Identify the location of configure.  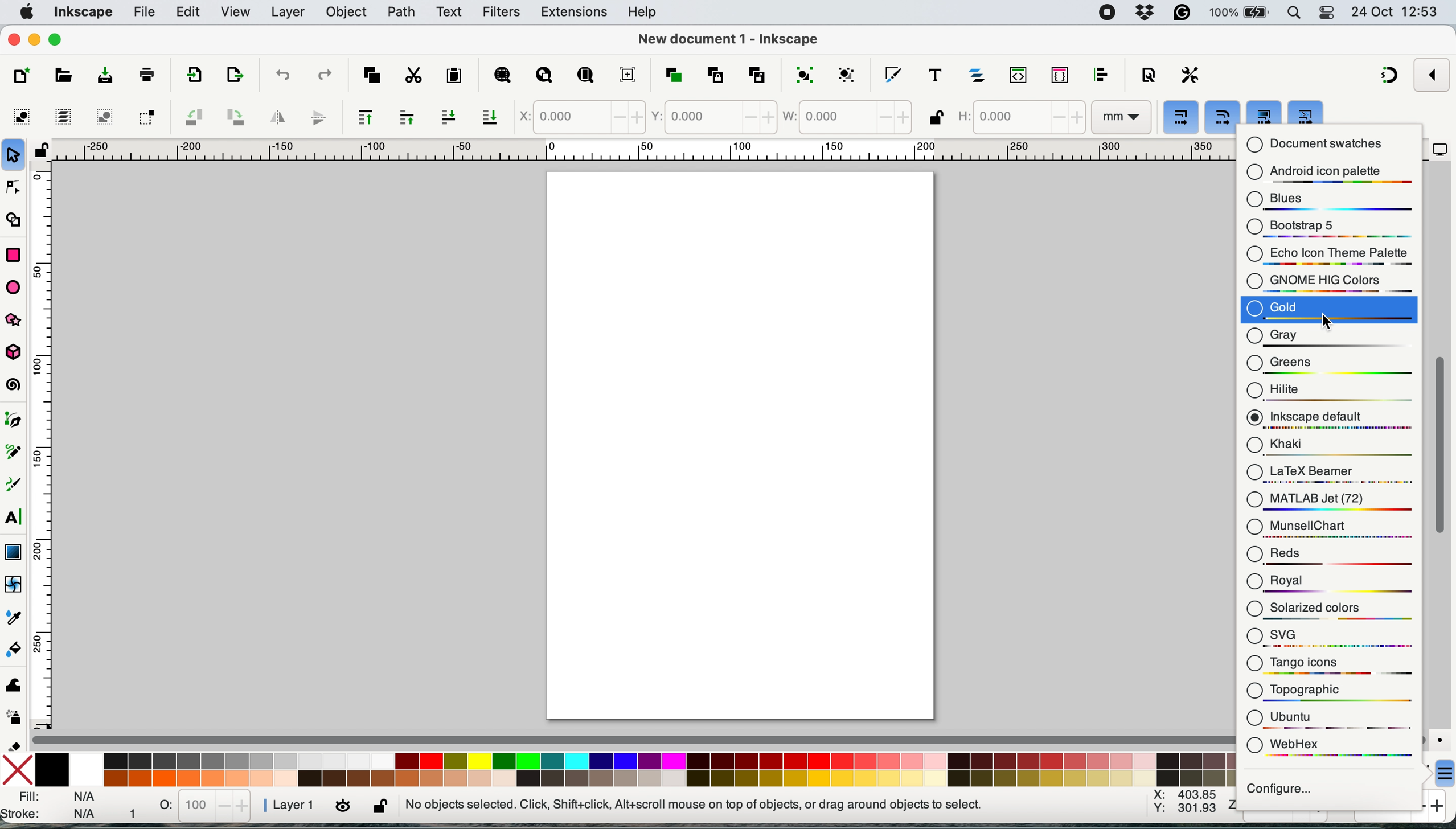
(1280, 790).